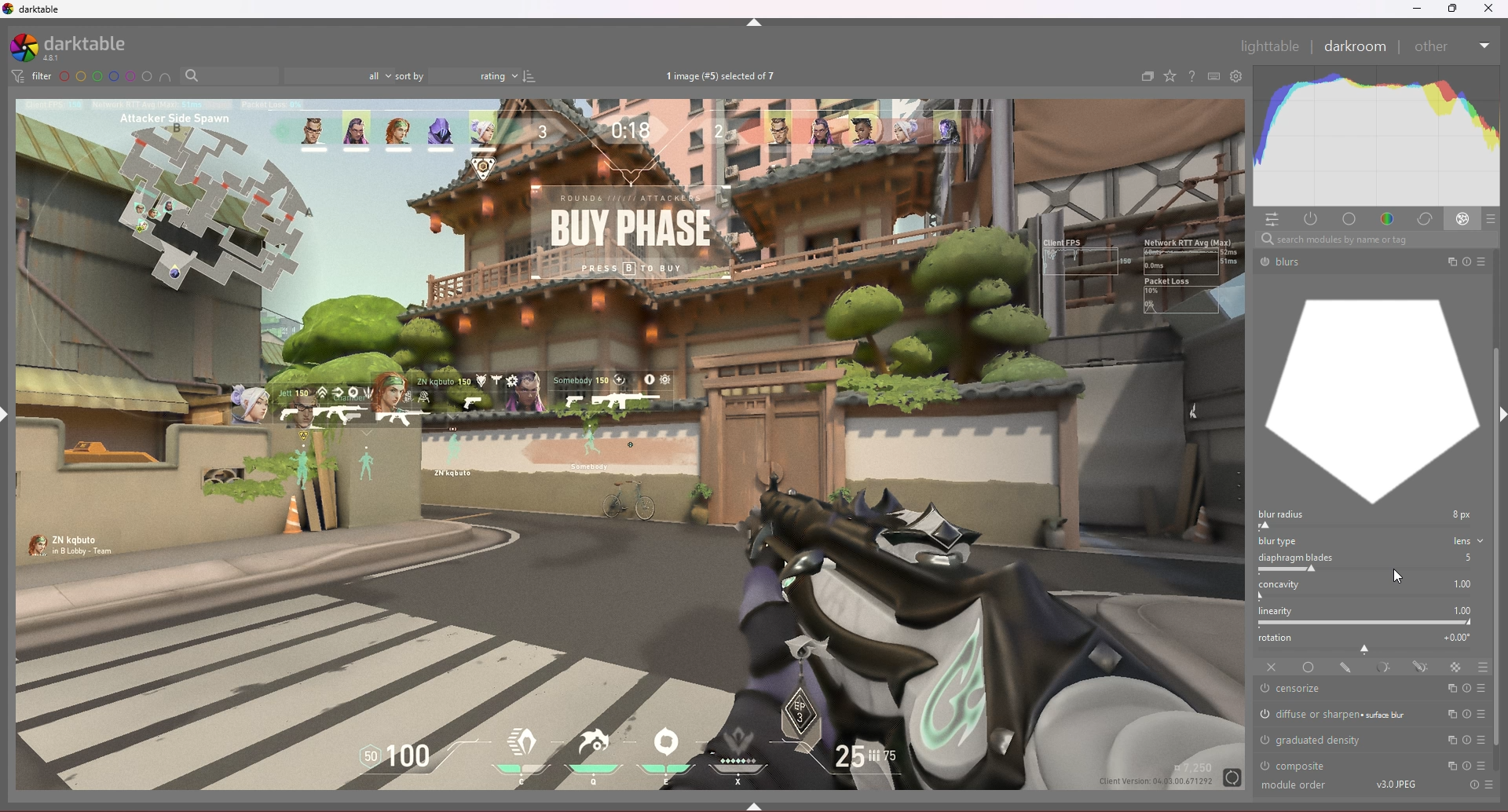 The image size is (1508, 812). Describe the element at coordinates (1490, 786) in the screenshot. I see `` at that location.